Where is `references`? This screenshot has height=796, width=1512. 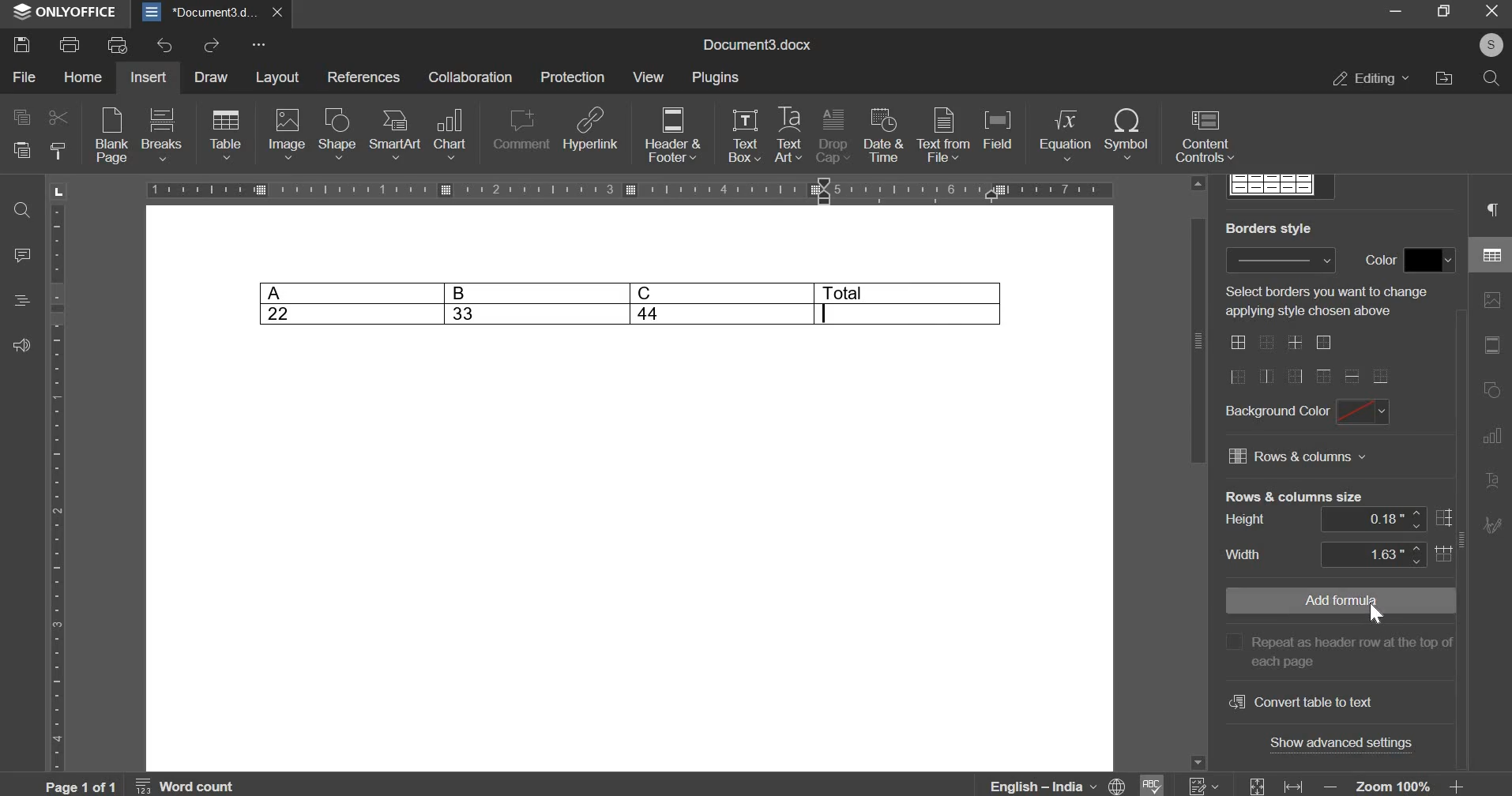
references is located at coordinates (365, 78).